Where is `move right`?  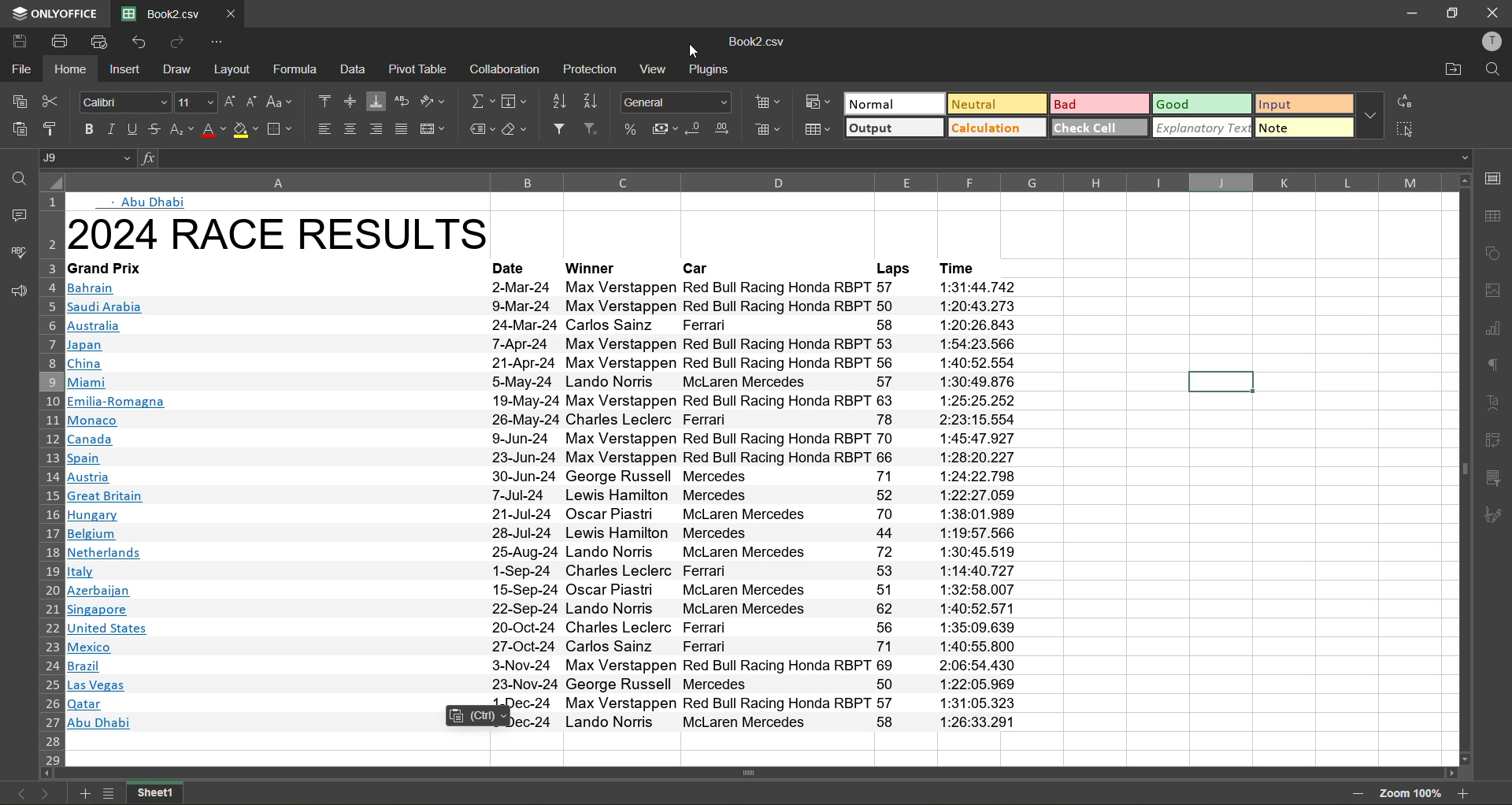
move right is located at coordinates (1450, 774).